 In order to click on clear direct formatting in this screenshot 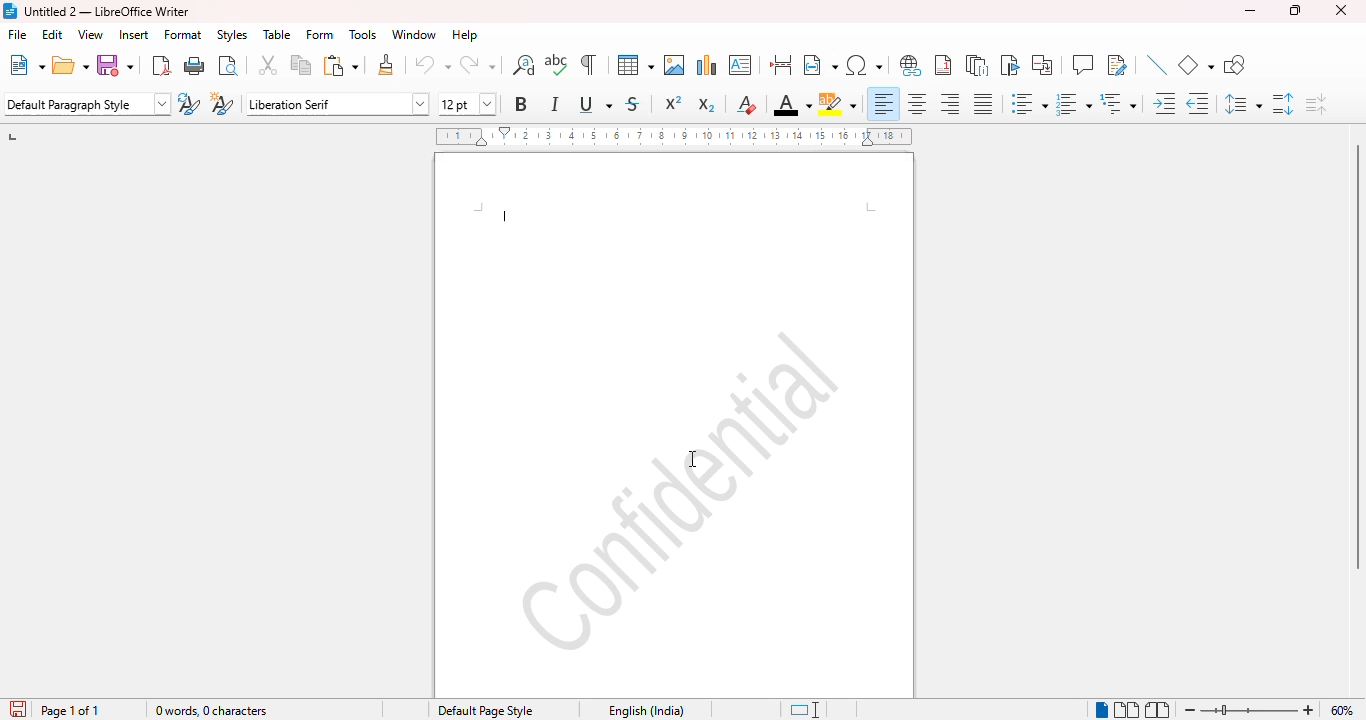, I will do `click(746, 104)`.